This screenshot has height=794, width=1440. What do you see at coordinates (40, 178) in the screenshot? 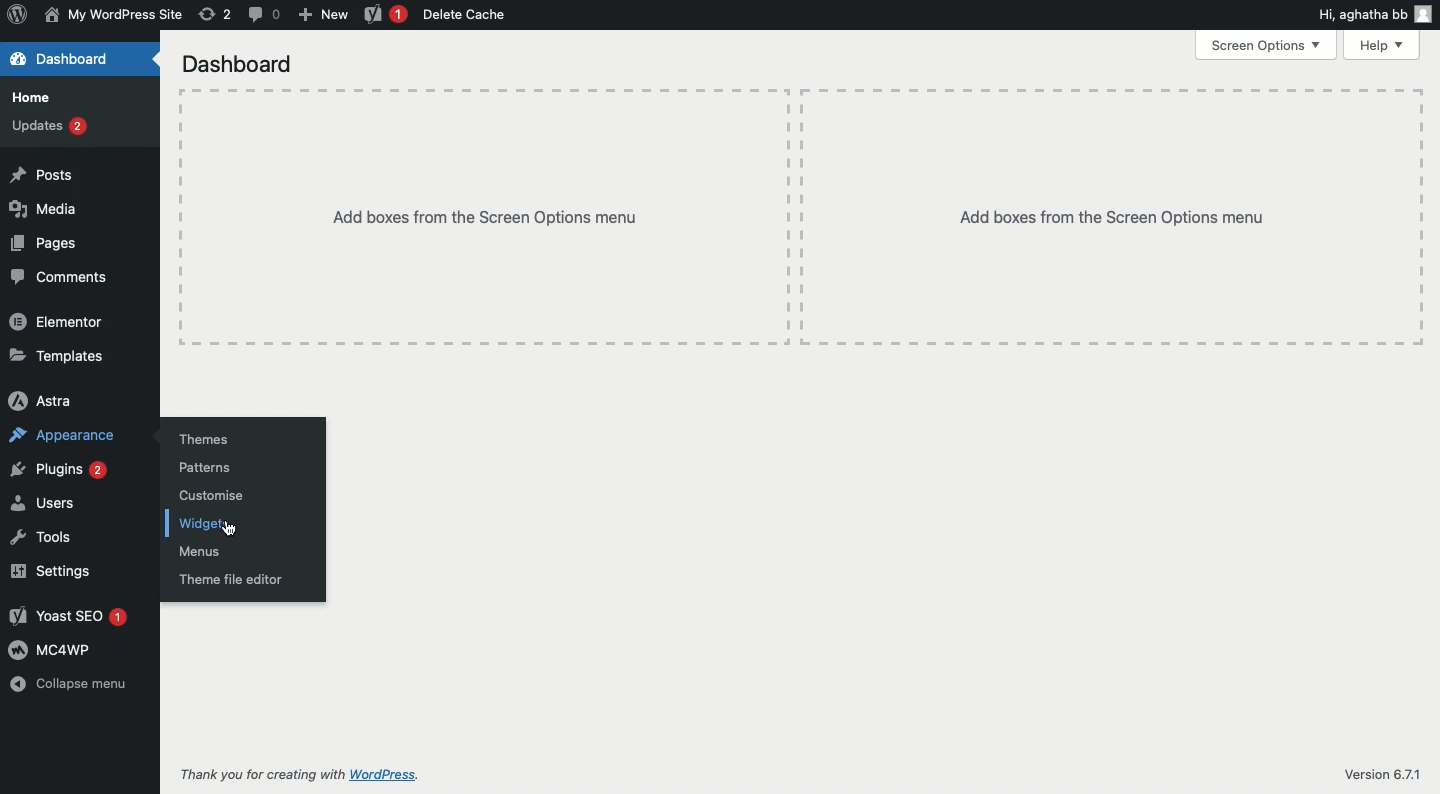
I see `Posts` at bounding box center [40, 178].